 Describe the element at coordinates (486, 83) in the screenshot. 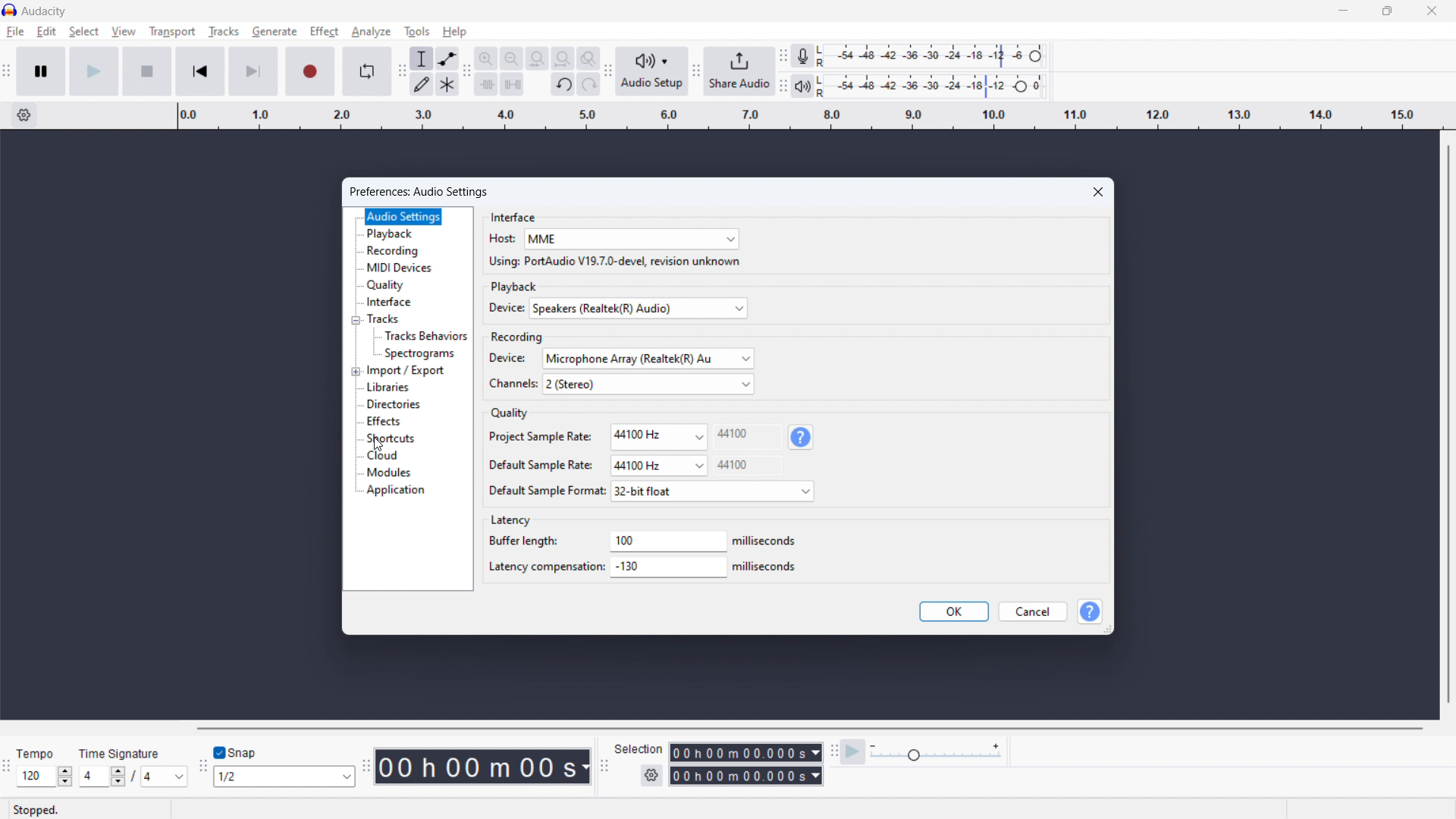

I see `trim audio outside selection` at that location.